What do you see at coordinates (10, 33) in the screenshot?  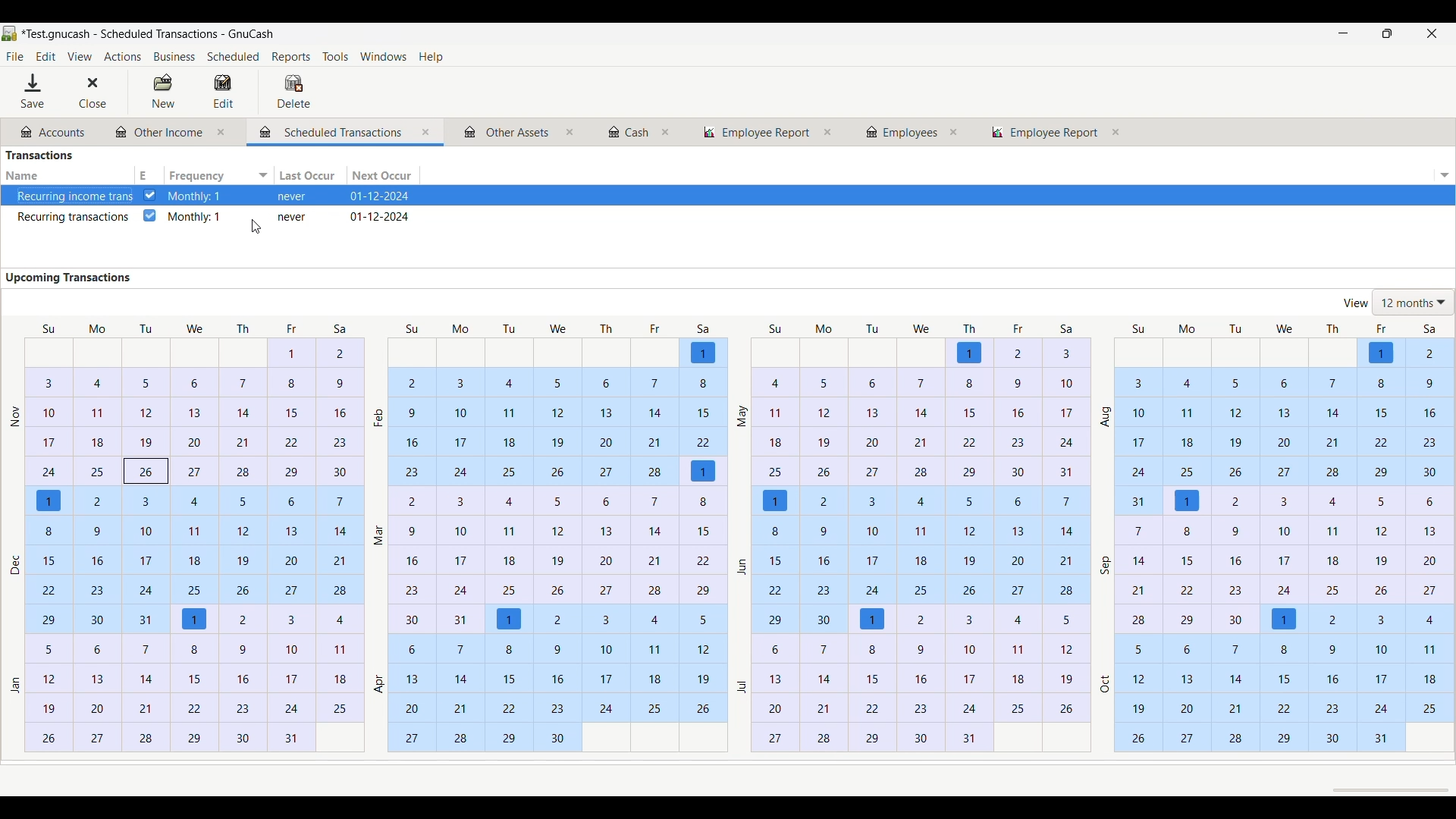 I see `Software logo` at bounding box center [10, 33].